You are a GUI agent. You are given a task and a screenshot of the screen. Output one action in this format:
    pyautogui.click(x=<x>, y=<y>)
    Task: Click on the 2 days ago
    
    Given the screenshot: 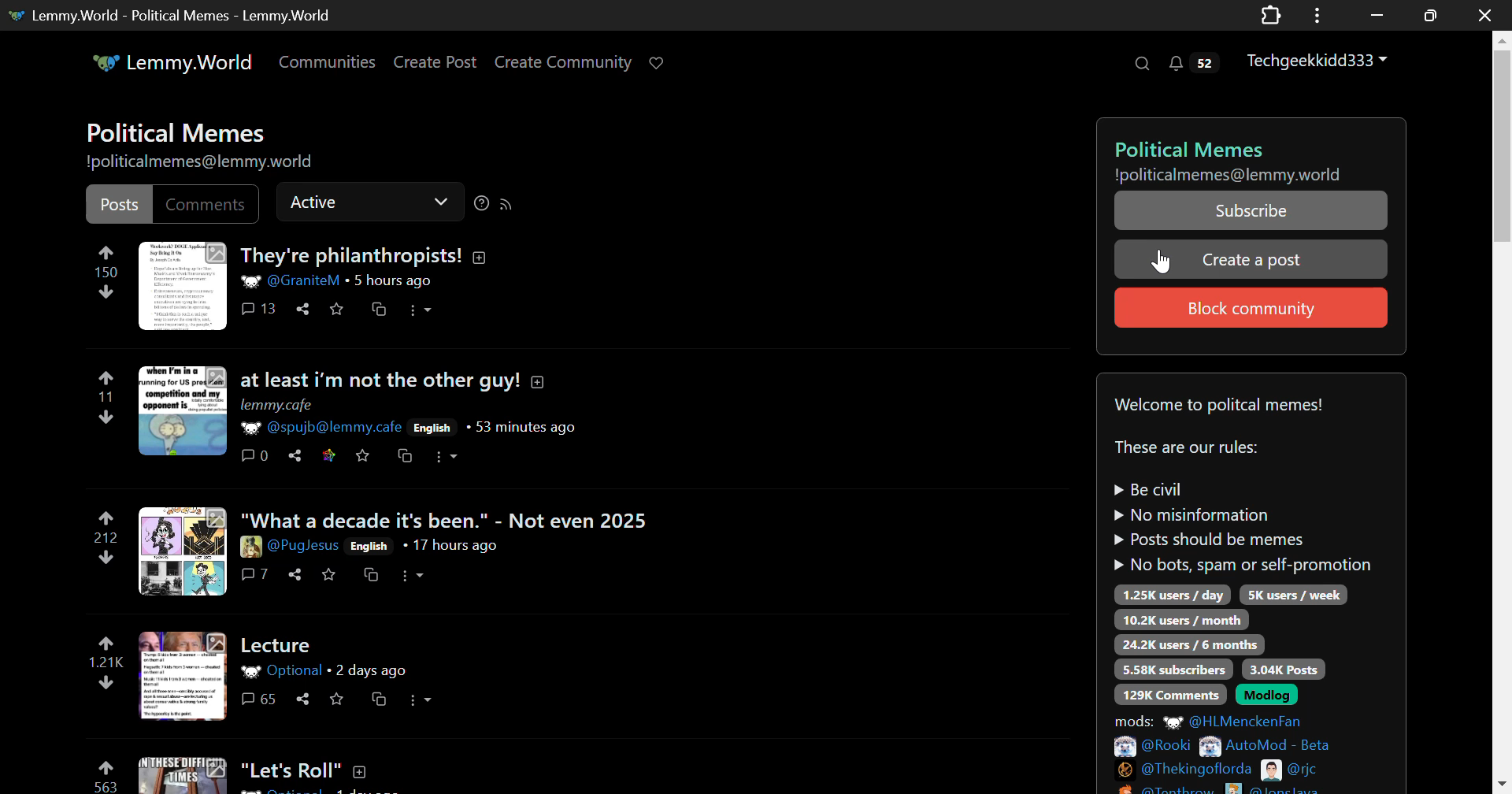 What is the action you would take?
    pyautogui.click(x=370, y=670)
    